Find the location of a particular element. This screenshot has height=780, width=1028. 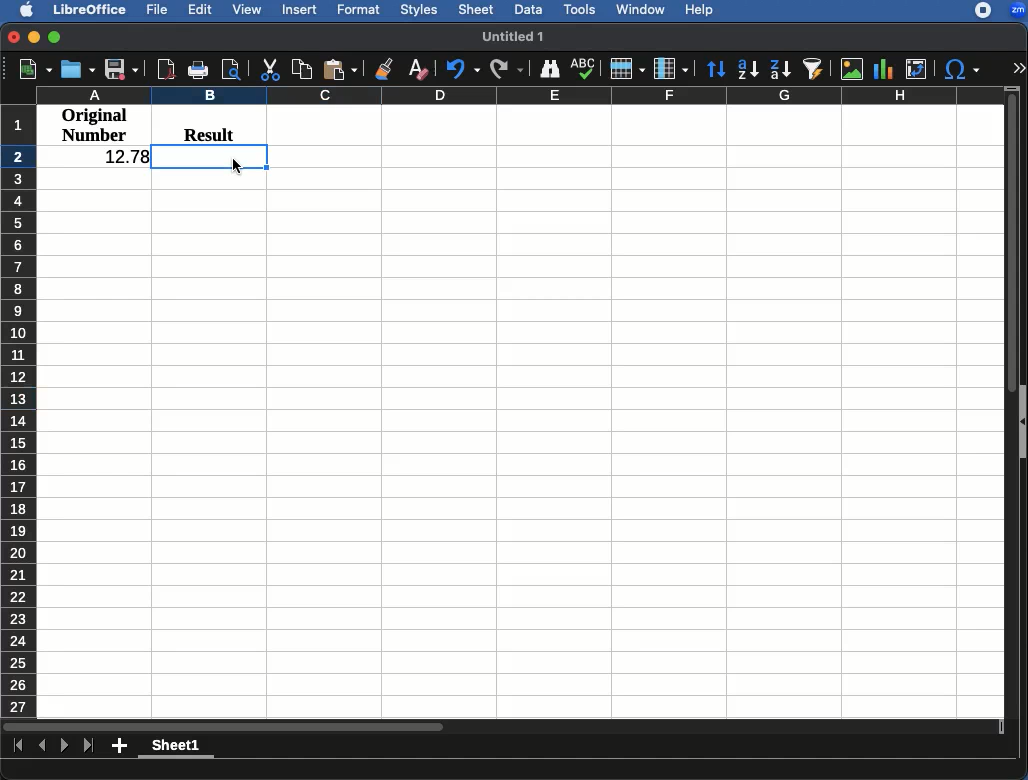

Row is located at coordinates (627, 69).